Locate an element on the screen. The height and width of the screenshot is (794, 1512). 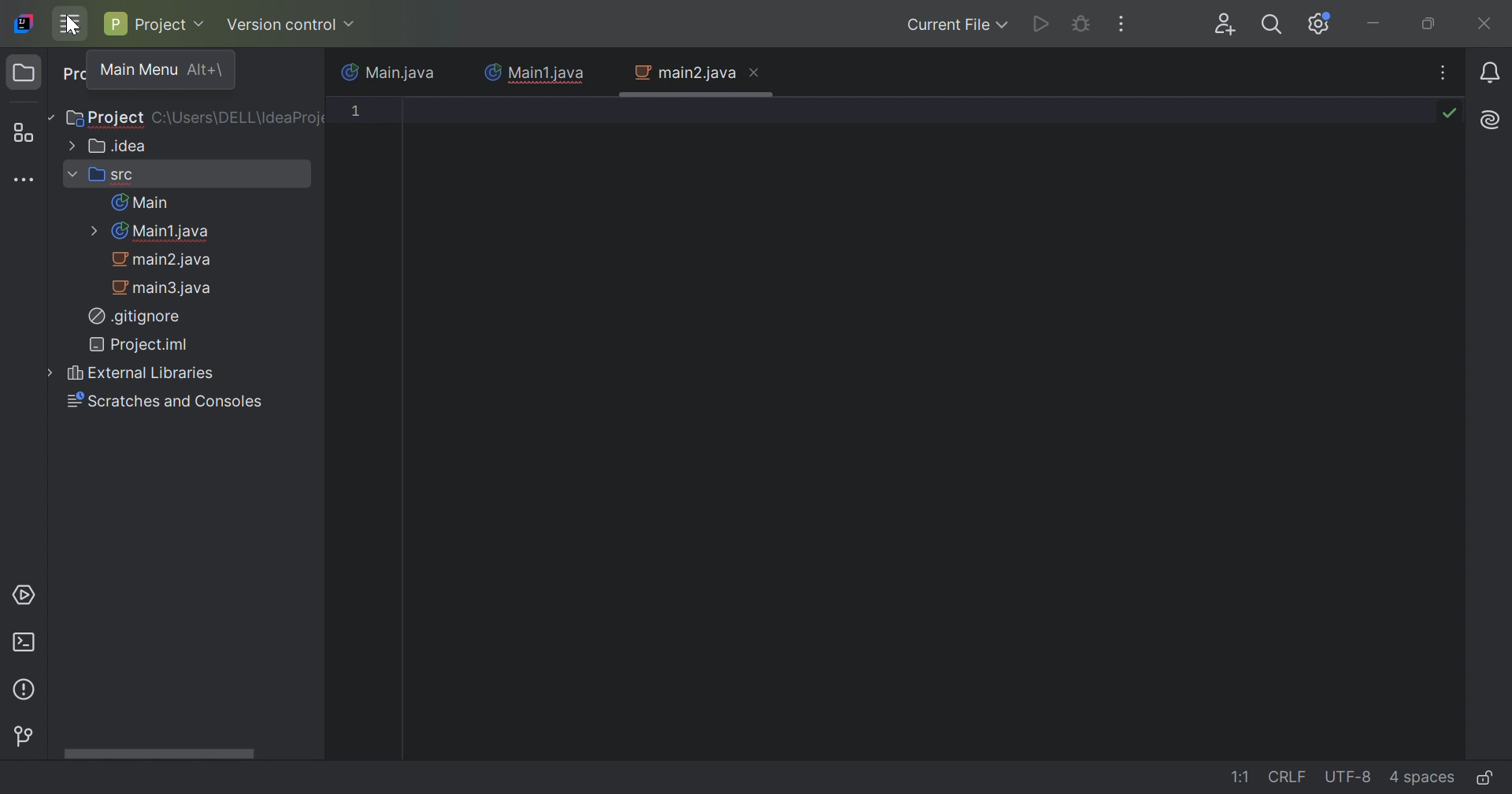
No problems found is located at coordinates (1453, 114).